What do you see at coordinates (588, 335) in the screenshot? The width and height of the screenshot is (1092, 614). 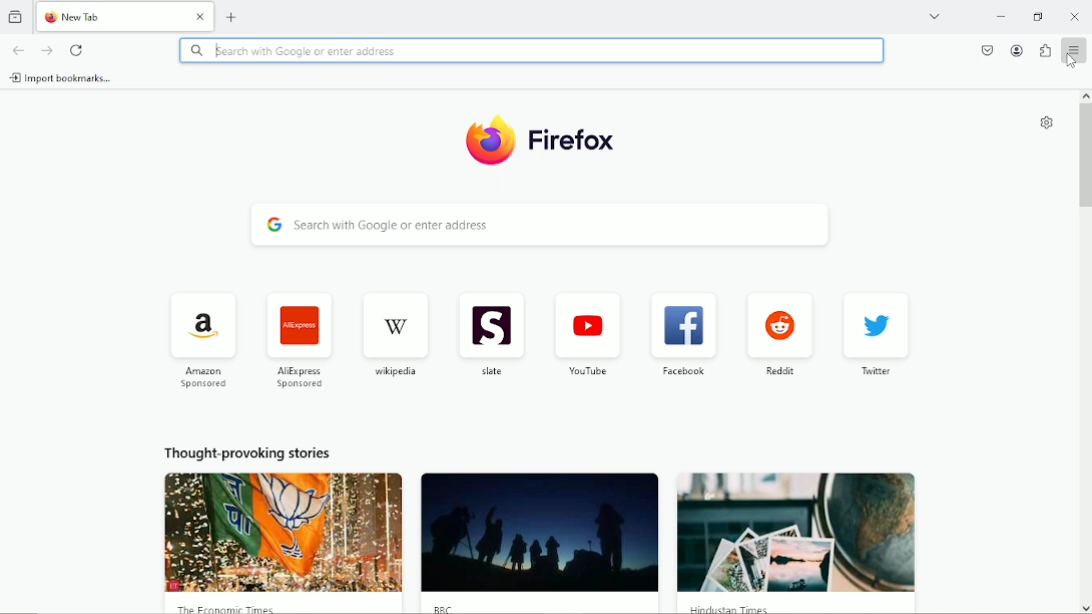 I see `youtube` at bounding box center [588, 335].